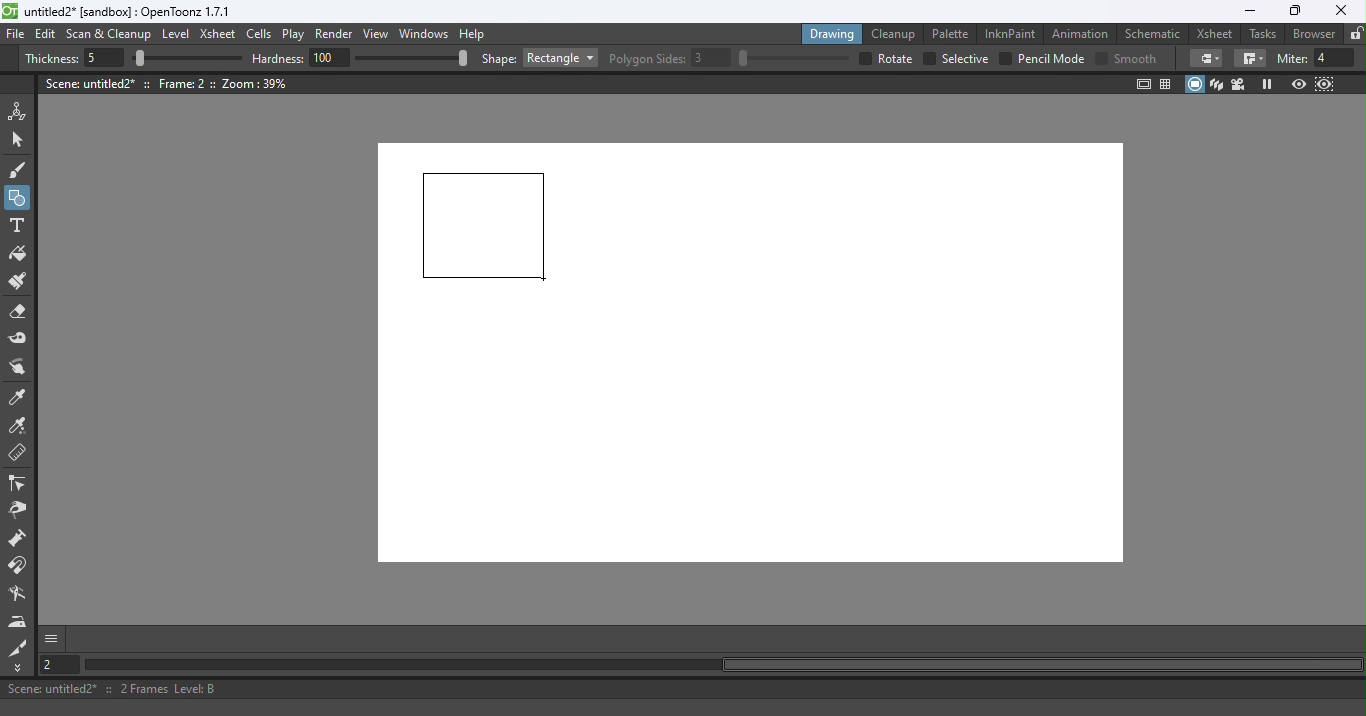 Image resolution: width=1366 pixels, height=716 pixels. What do you see at coordinates (19, 198) in the screenshot?
I see `Geometric tool` at bounding box center [19, 198].